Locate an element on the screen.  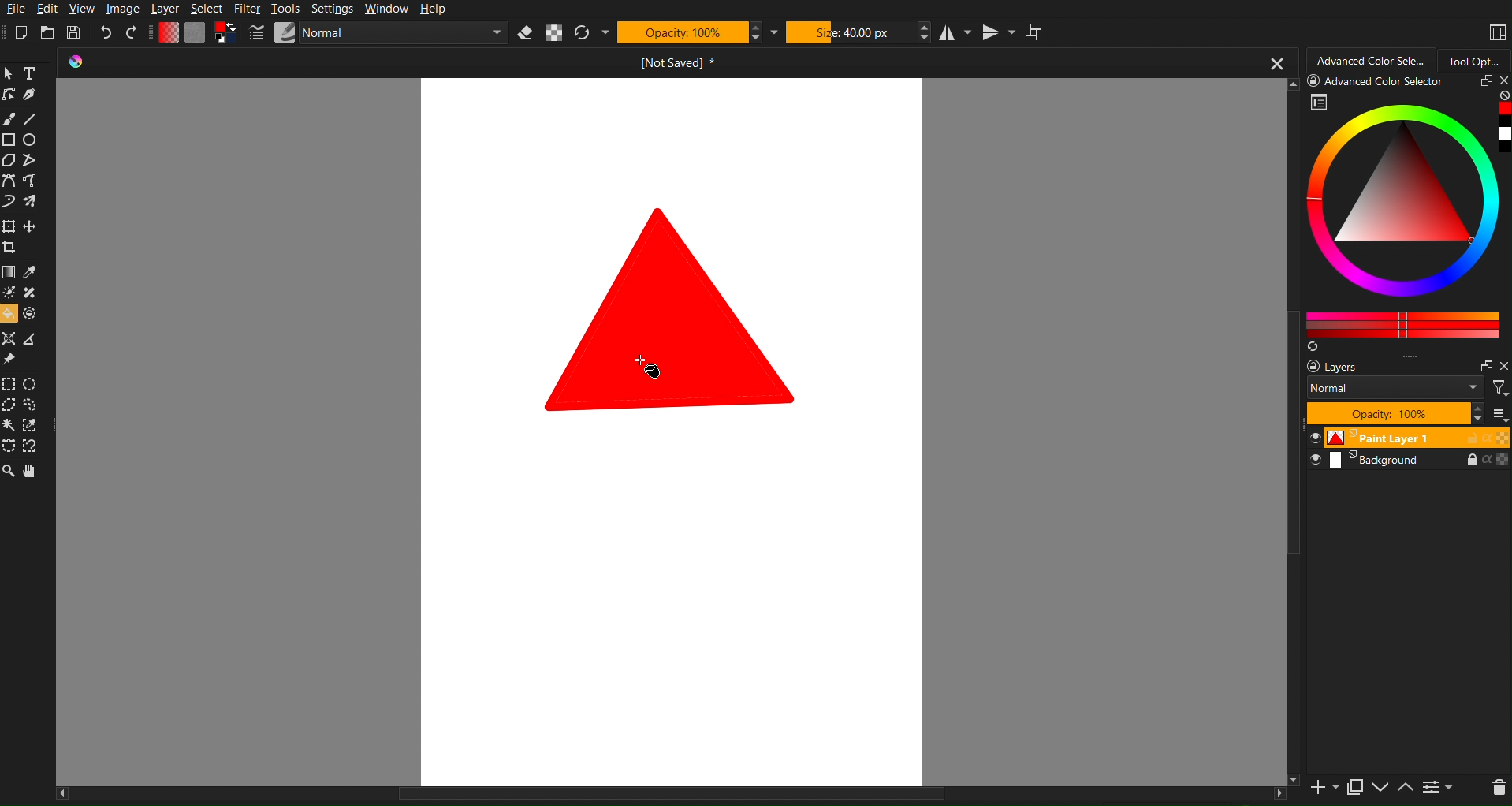
blend mode is located at coordinates (1398, 390).